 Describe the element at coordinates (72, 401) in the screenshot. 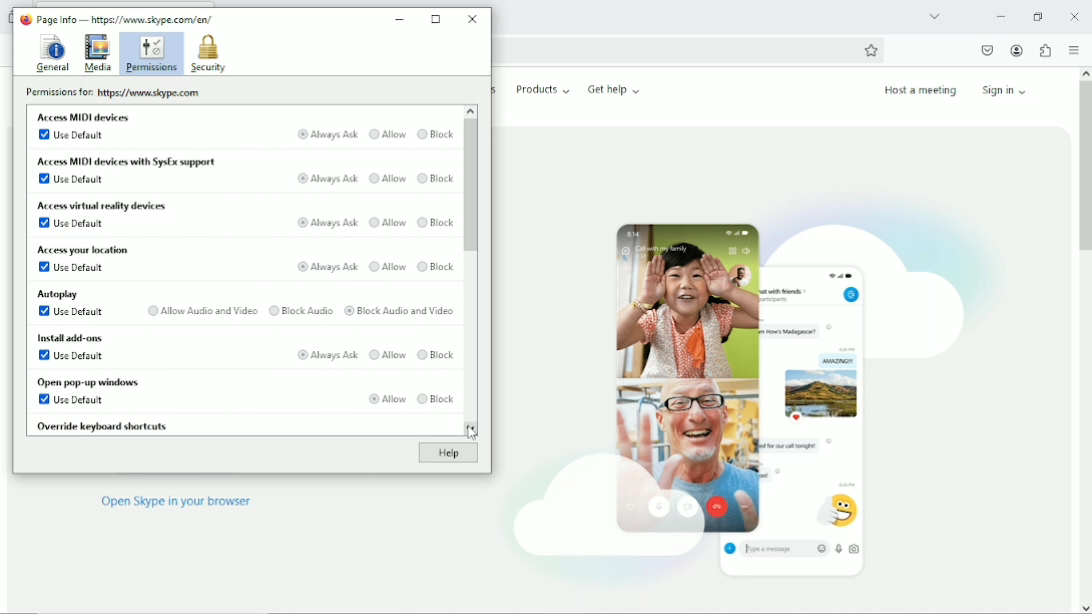

I see `Use default` at that location.